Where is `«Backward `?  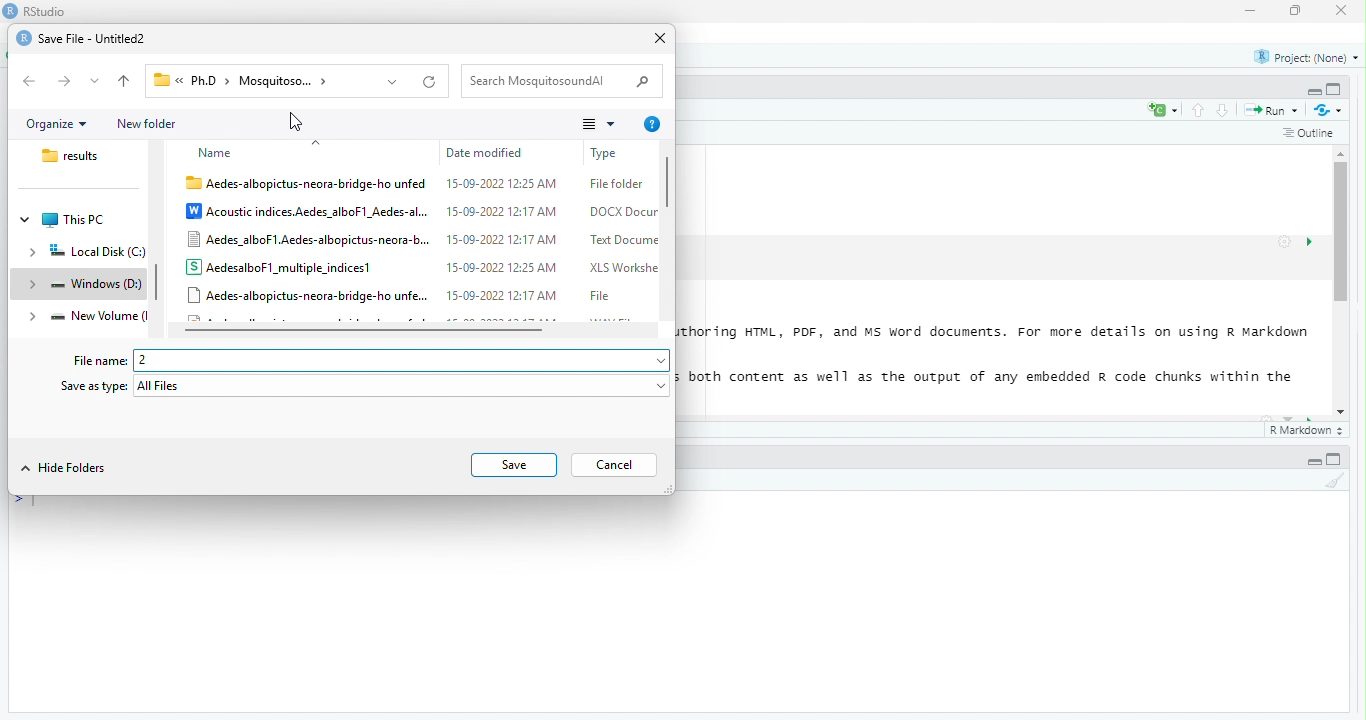
«Backward  is located at coordinates (31, 81).